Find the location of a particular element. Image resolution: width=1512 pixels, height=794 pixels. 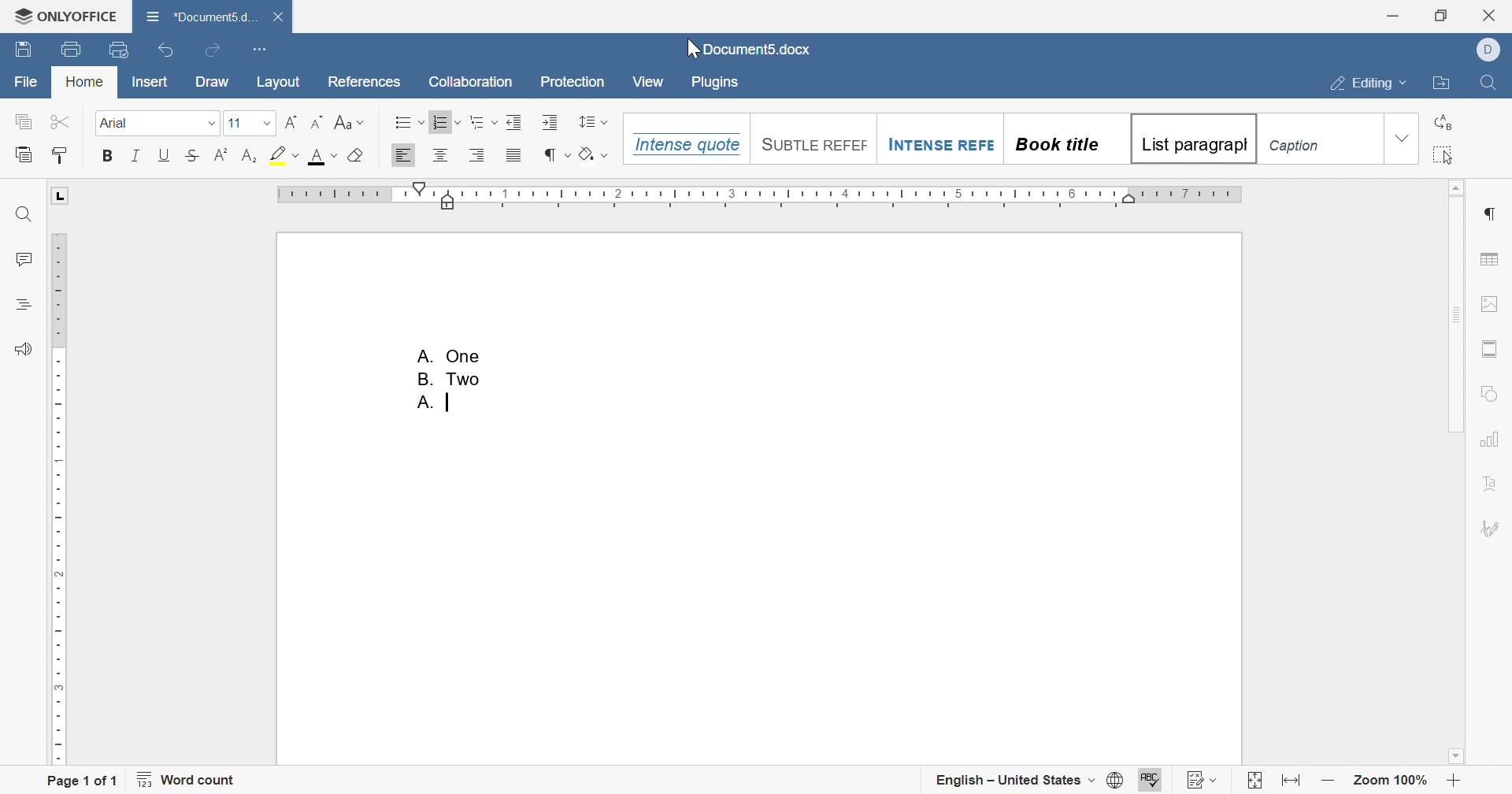

Superscript is located at coordinates (221, 154).